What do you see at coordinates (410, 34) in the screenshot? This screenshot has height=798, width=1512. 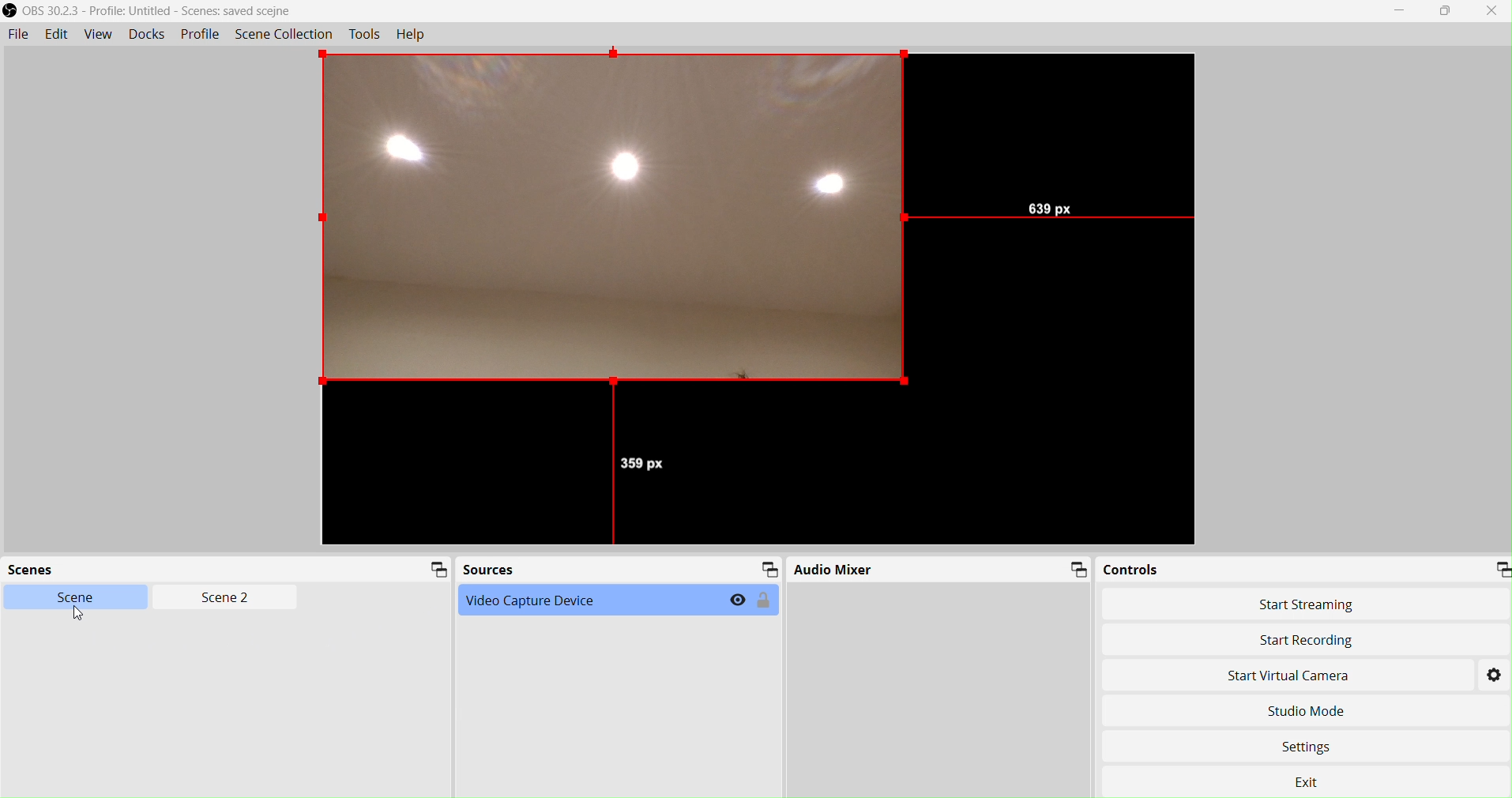 I see `Help` at bounding box center [410, 34].